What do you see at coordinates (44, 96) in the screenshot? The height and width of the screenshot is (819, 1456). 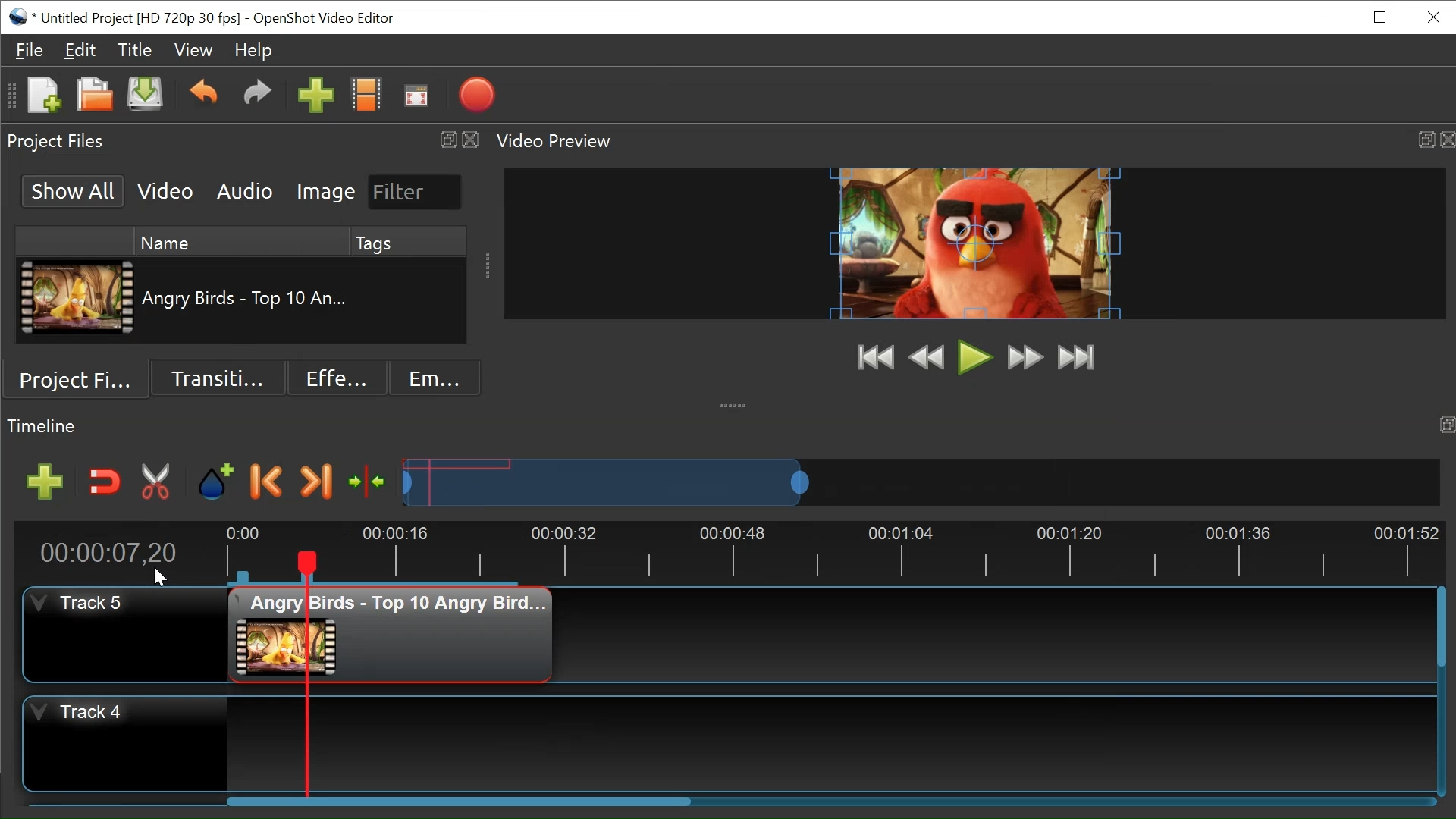 I see `New File` at bounding box center [44, 96].